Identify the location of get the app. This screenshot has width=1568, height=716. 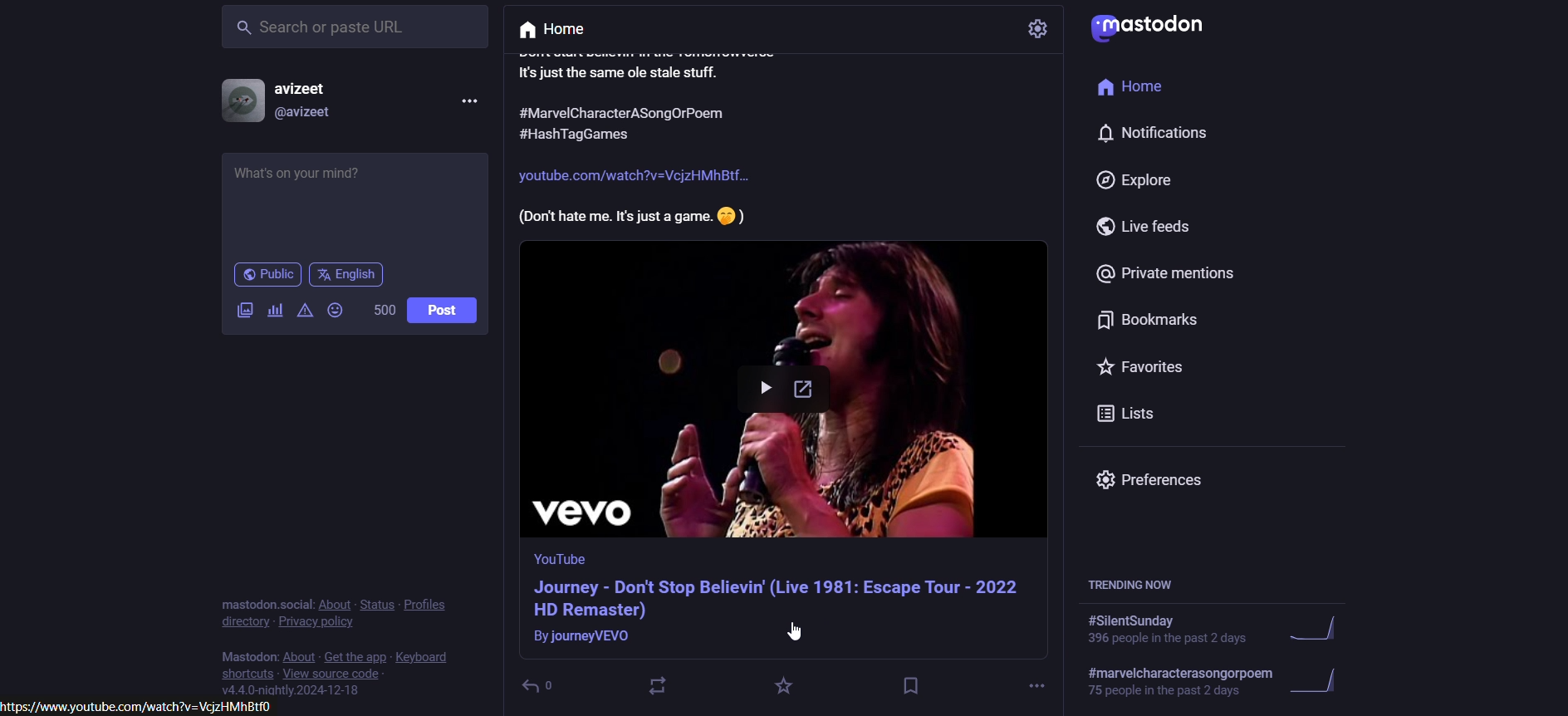
(355, 656).